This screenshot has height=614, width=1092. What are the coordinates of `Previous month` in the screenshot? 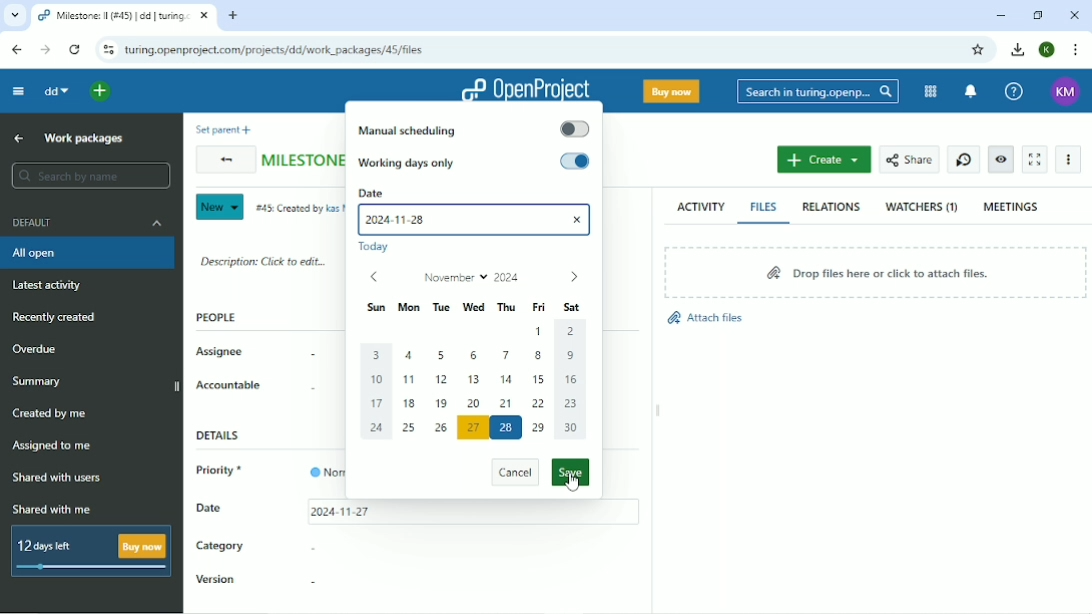 It's located at (373, 277).